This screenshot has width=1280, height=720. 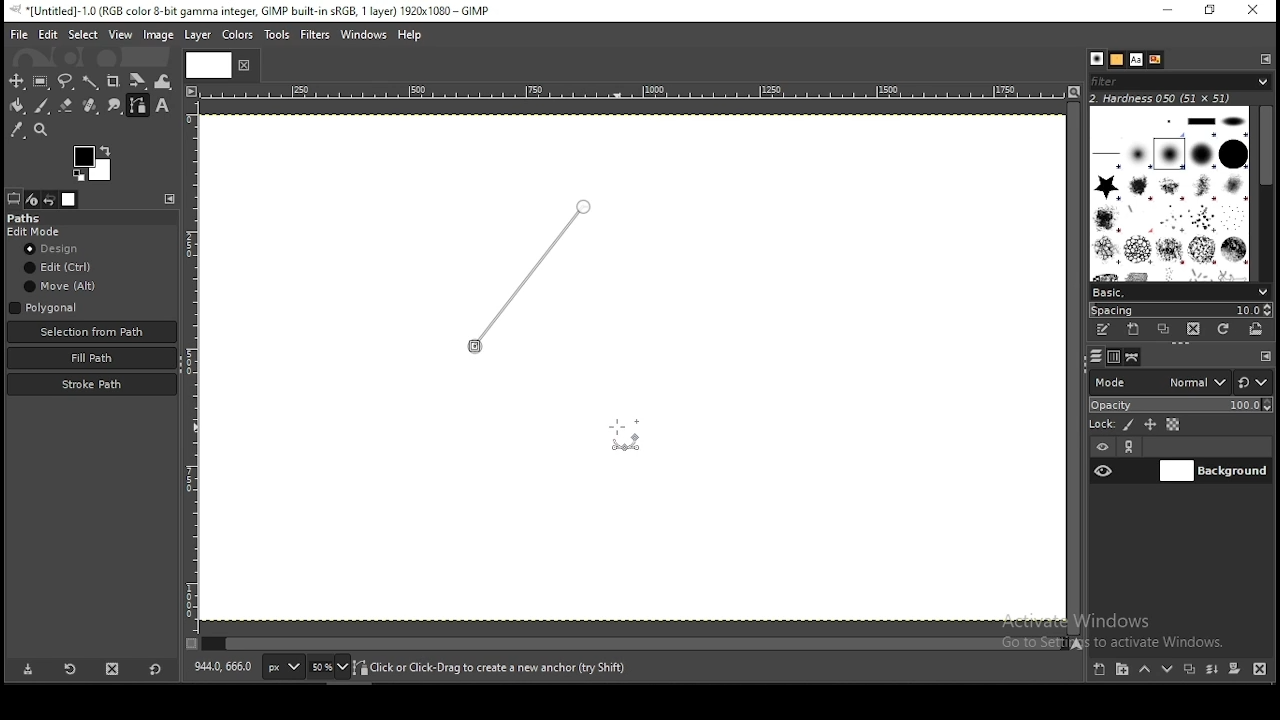 I want to click on delete tool preset, so click(x=113, y=672).